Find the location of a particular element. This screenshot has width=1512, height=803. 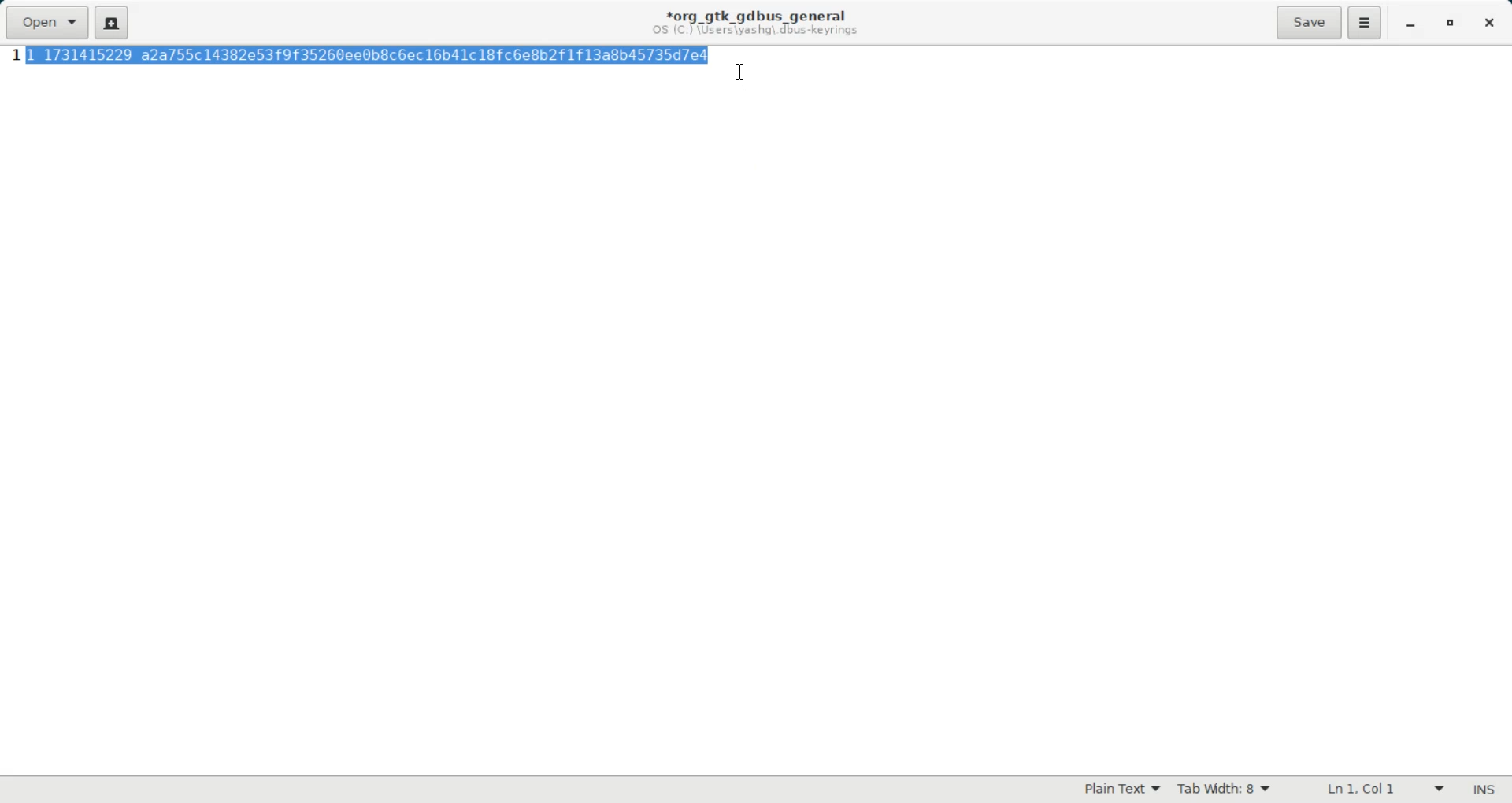

Create a new document is located at coordinates (112, 22).